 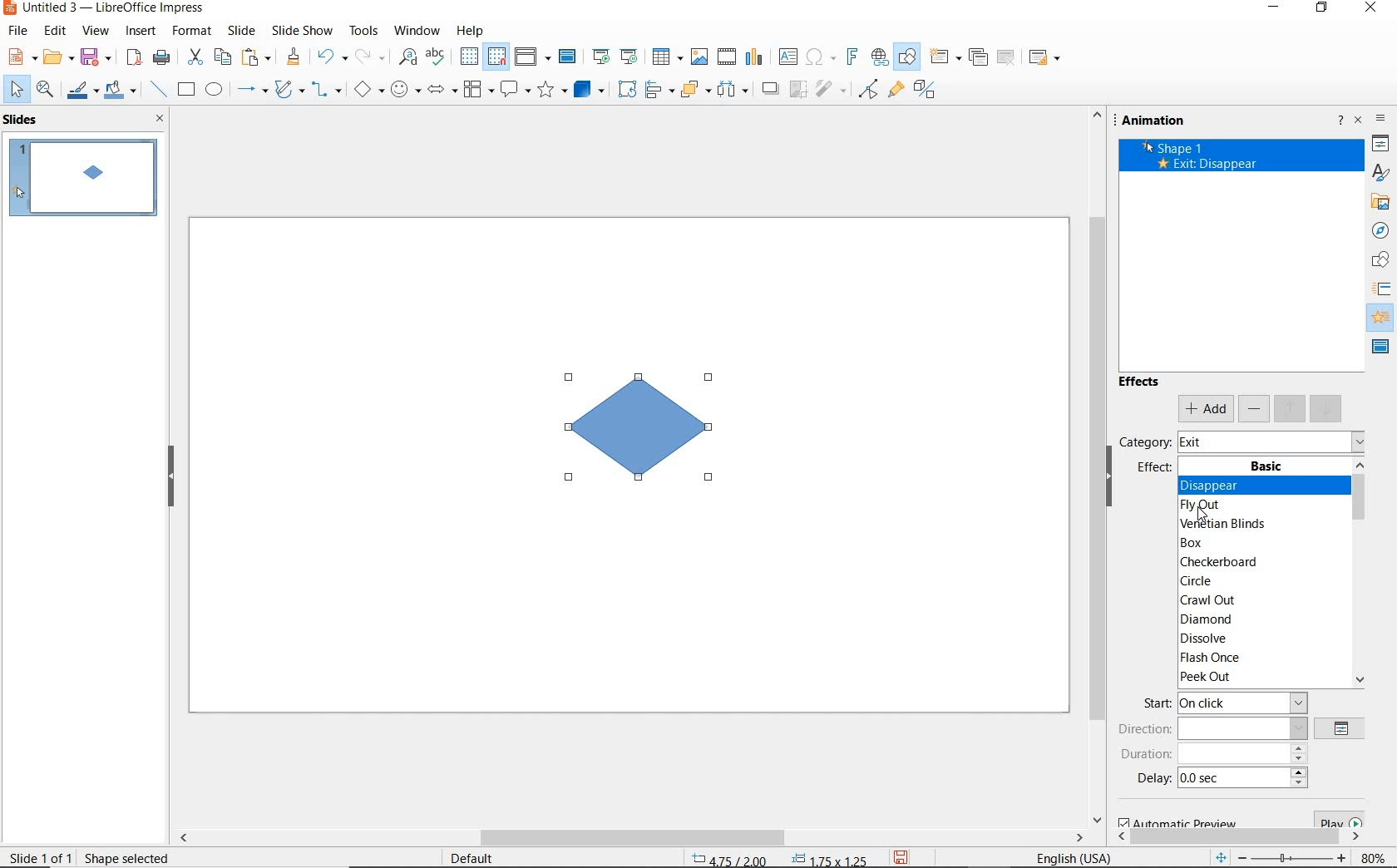 I want to click on properties, so click(x=1380, y=145).